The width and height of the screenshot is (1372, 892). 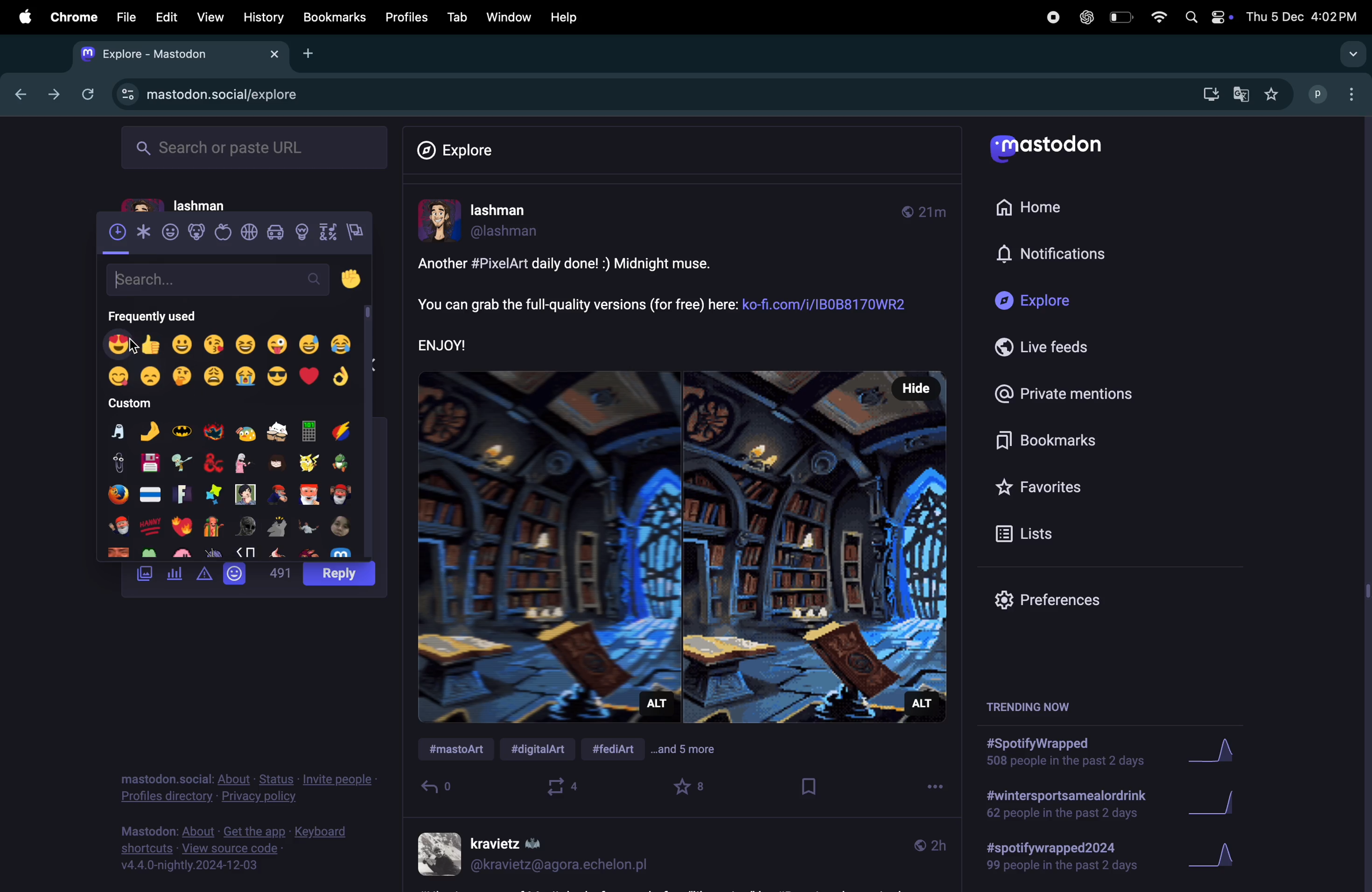 What do you see at coordinates (235, 233) in the screenshot?
I see `view recent emojis` at bounding box center [235, 233].